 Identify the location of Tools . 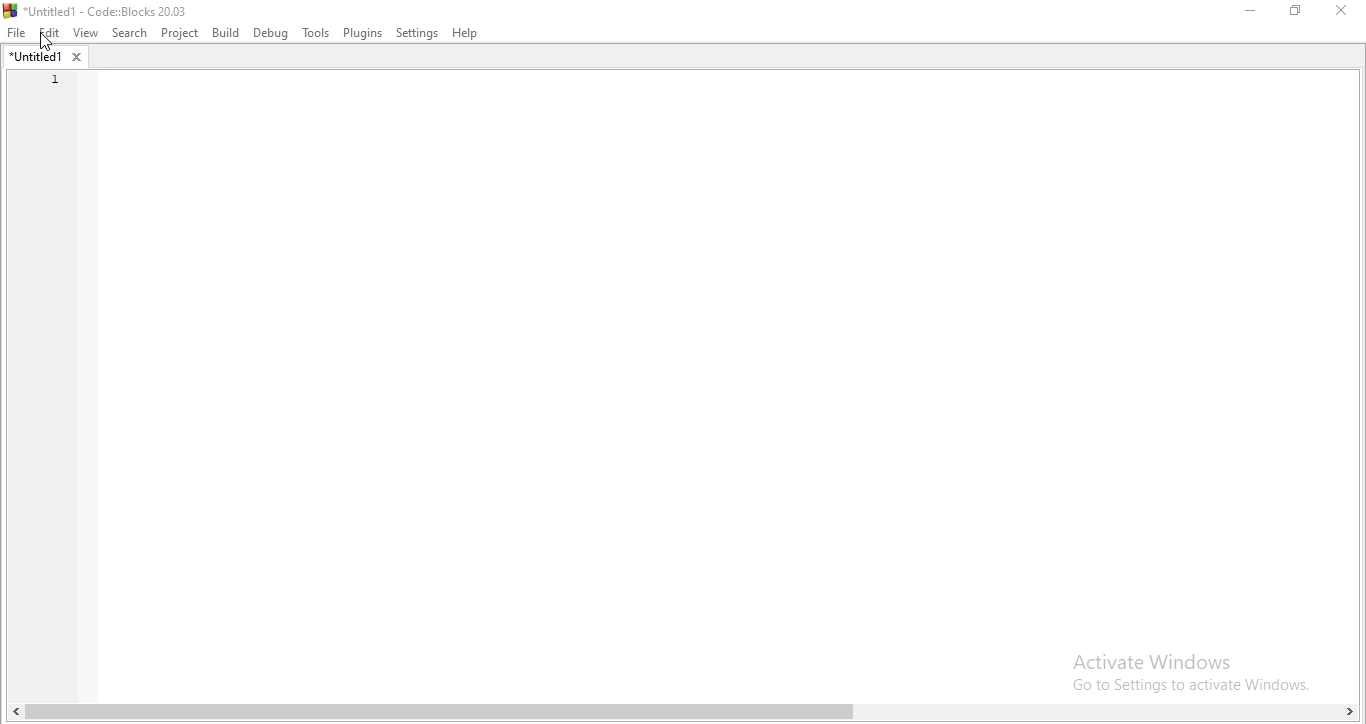
(316, 35).